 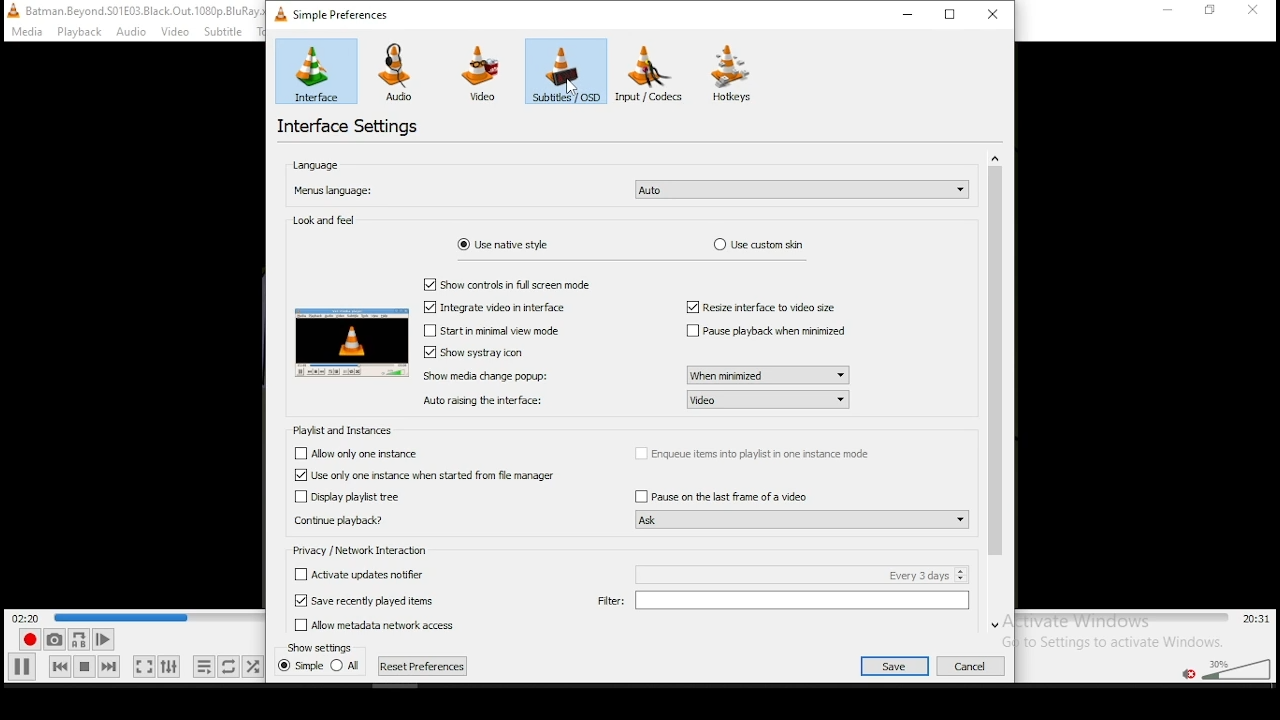 I want to click on play/pause, so click(x=21, y=667).